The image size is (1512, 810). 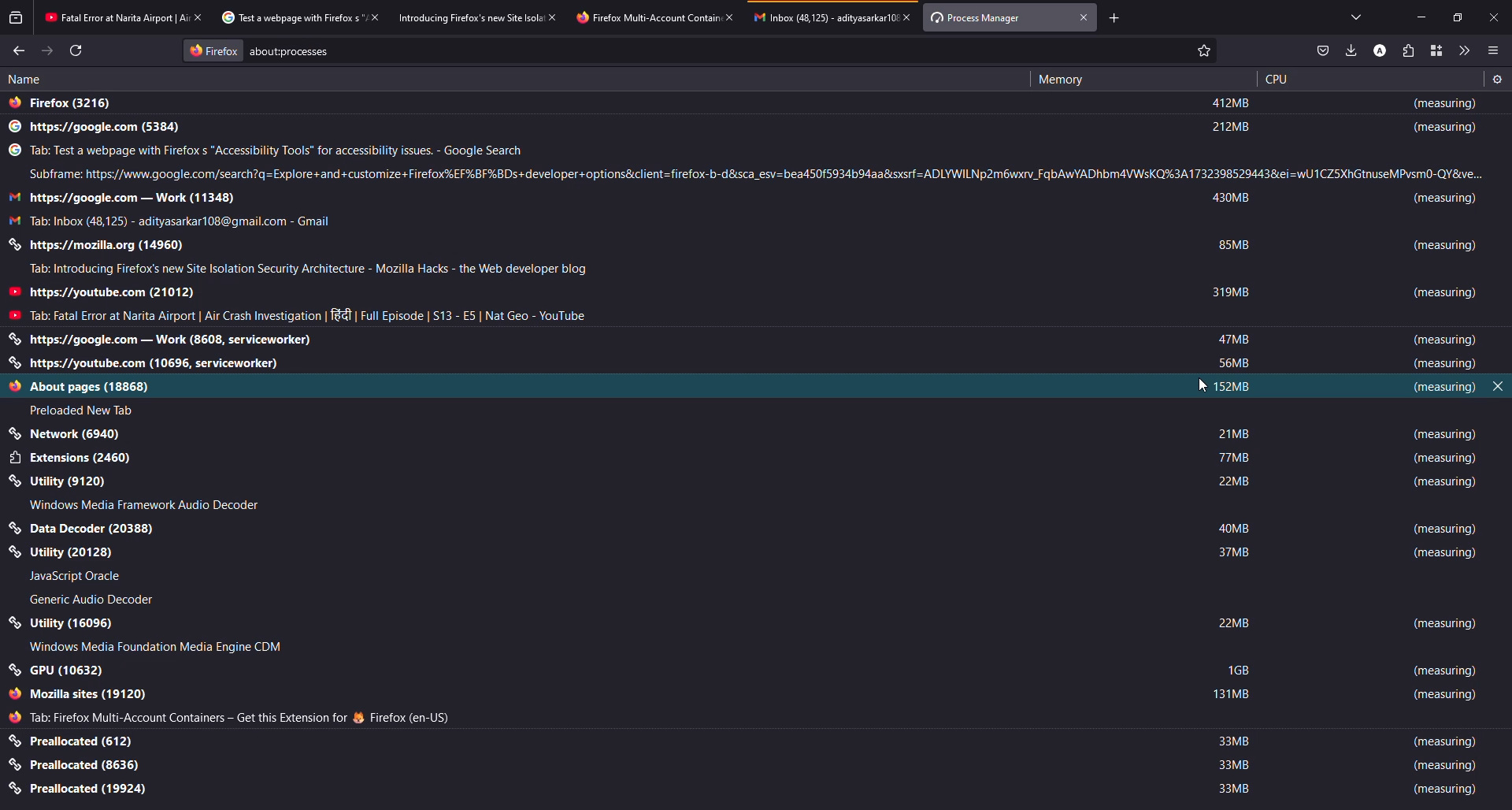 I want to click on back, so click(x=16, y=51).